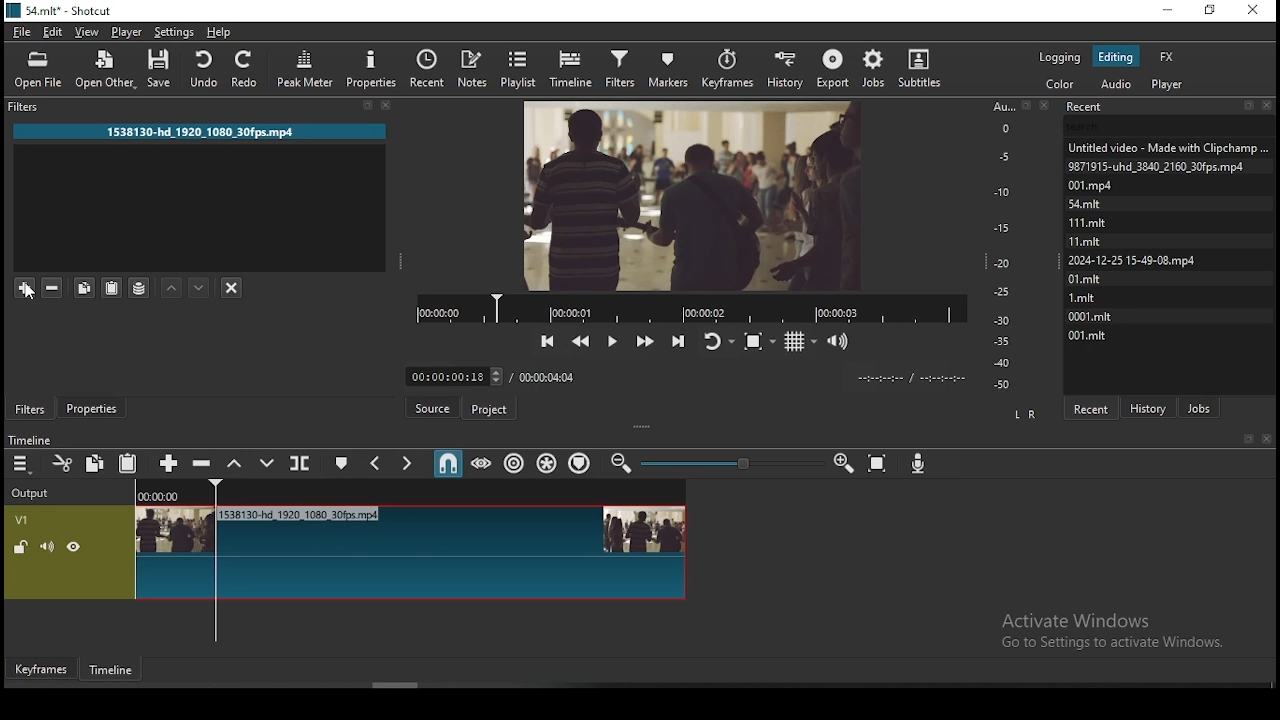 Image resolution: width=1280 pixels, height=720 pixels. I want to click on history, so click(1155, 408).